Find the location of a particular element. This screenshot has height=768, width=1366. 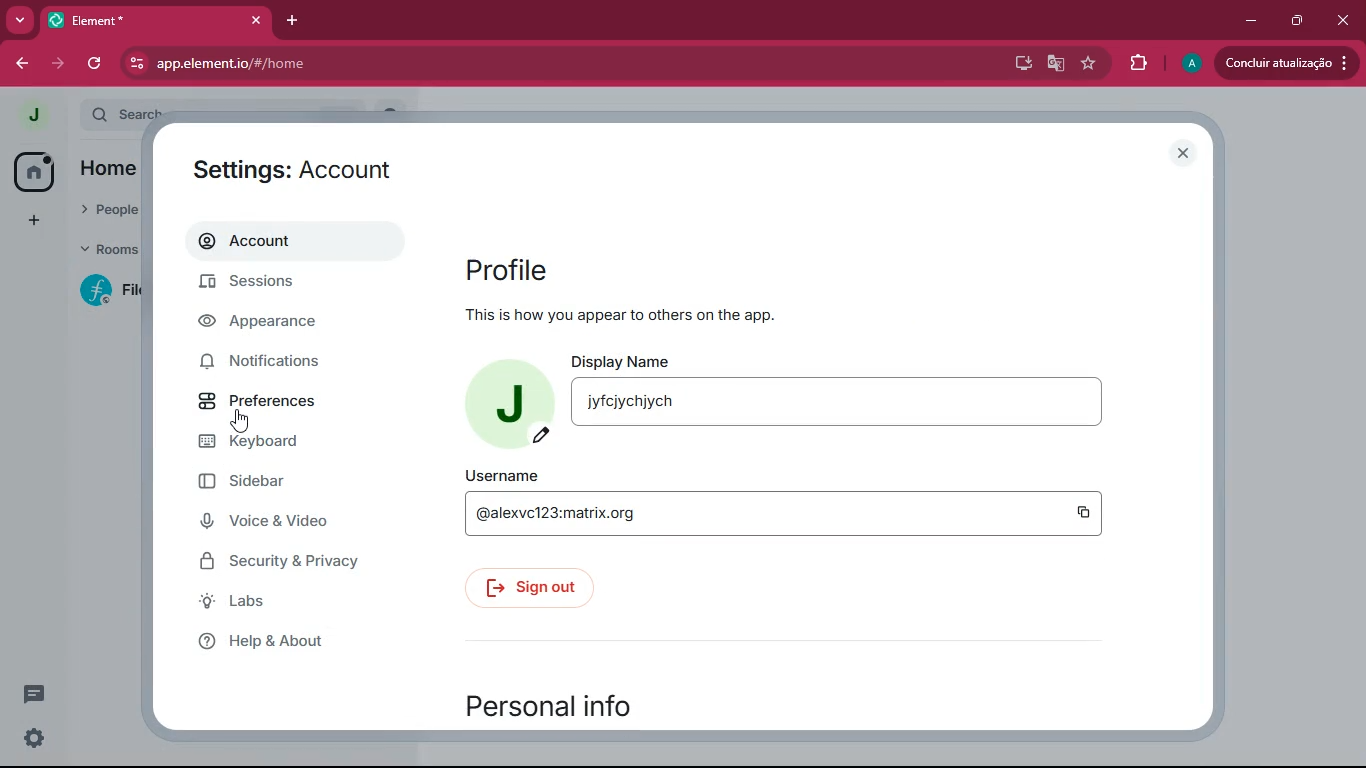

close is located at coordinates (1346, 19).